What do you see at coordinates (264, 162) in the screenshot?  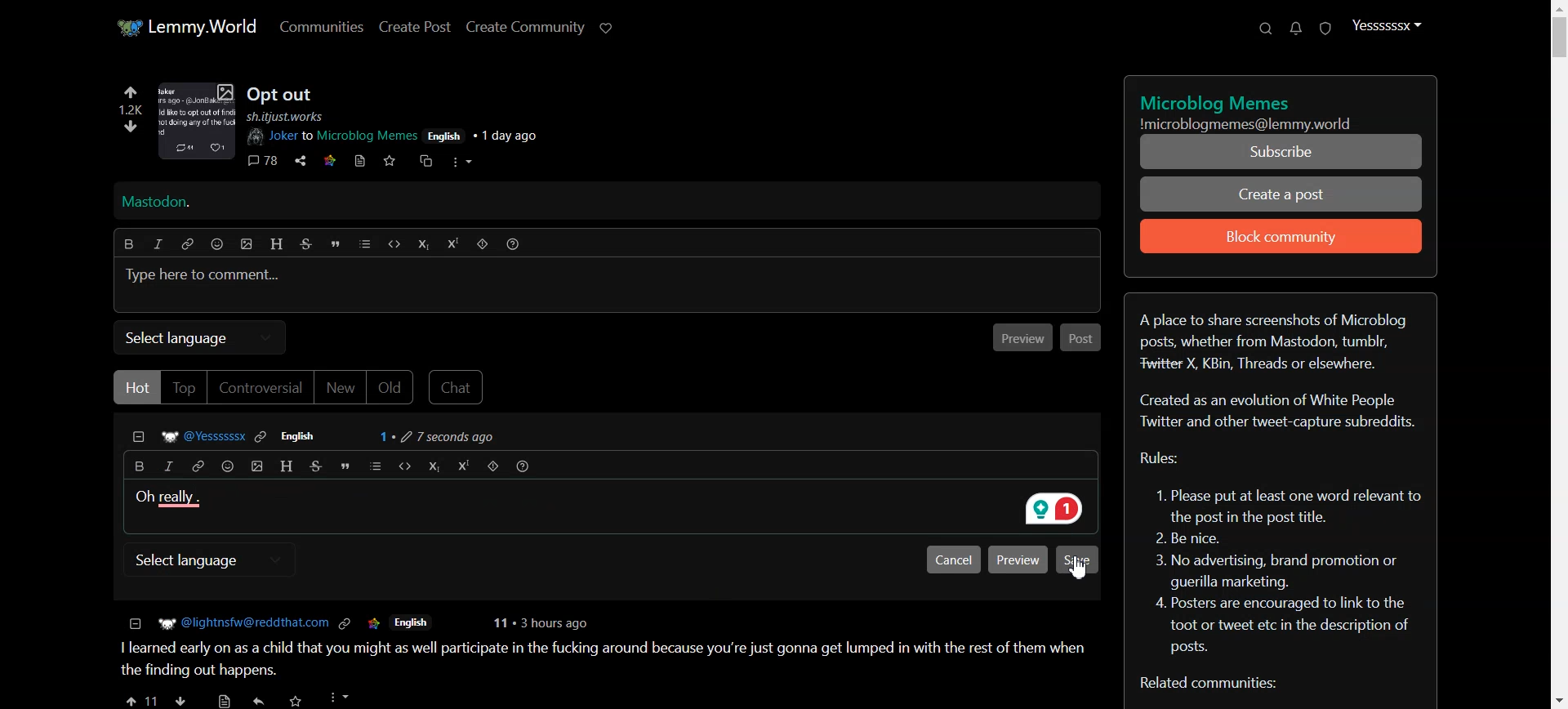 I see `comments` at bounding box center [264, 162].